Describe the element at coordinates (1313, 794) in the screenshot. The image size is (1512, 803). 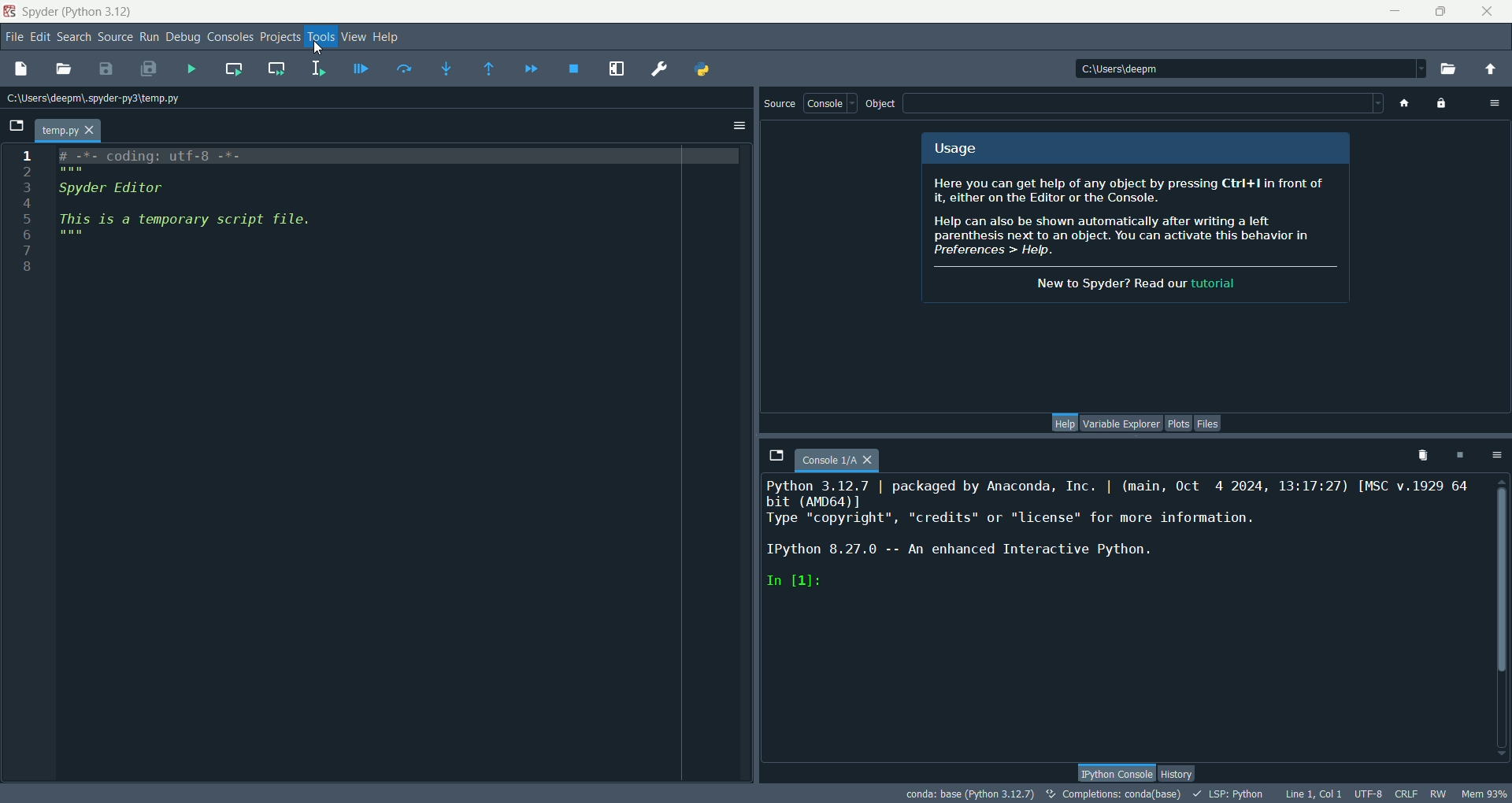
I see `line, col` at that location.